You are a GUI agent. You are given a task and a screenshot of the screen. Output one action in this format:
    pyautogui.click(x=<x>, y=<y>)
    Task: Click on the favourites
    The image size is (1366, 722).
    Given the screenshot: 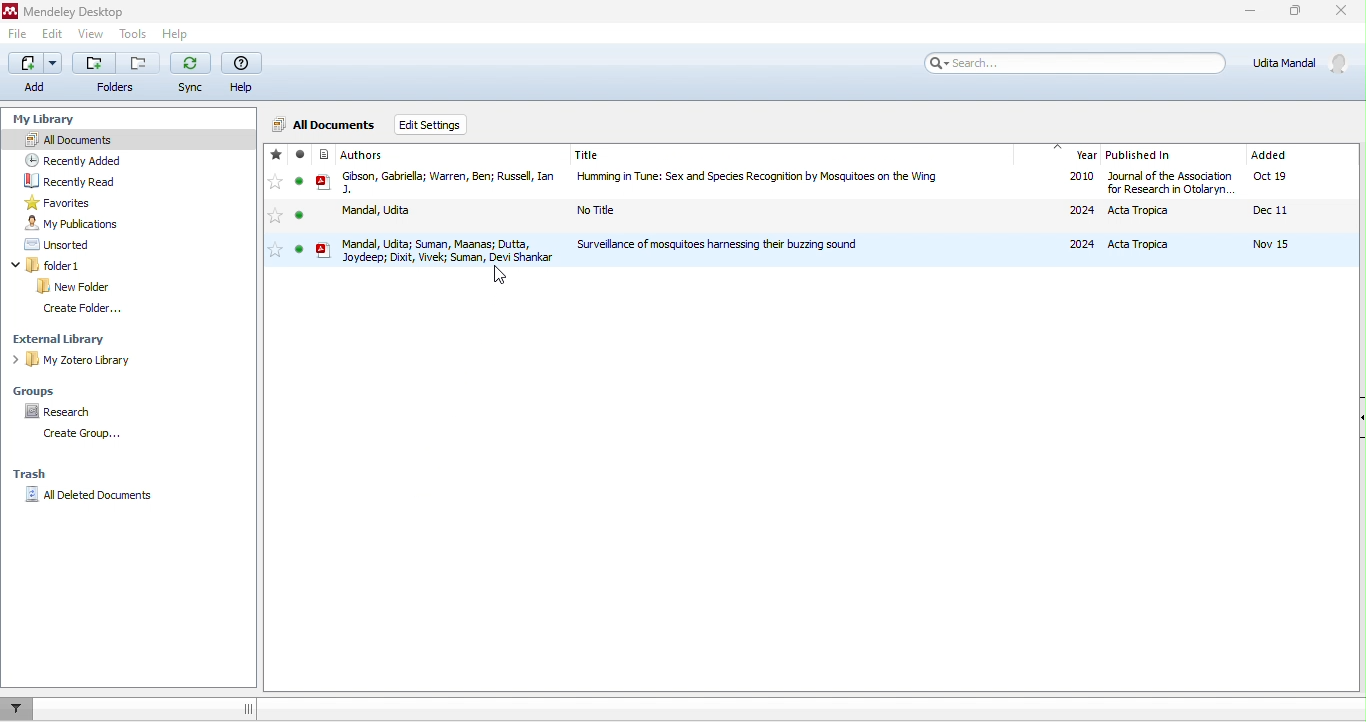 What is the action you would take?
    pyautogui.click(x=275, y=204)
    